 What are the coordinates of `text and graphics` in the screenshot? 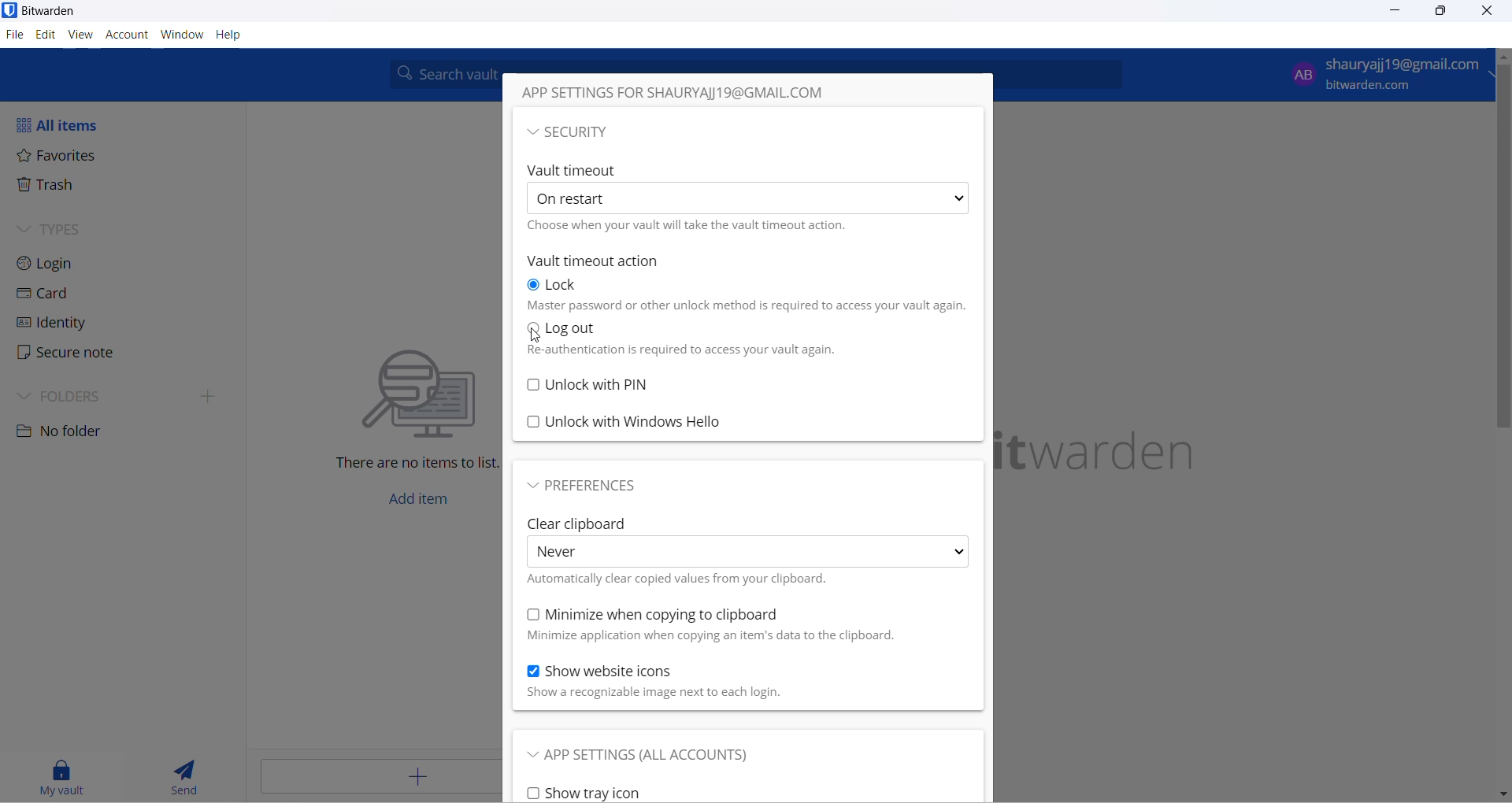 It's located at (395, 405).